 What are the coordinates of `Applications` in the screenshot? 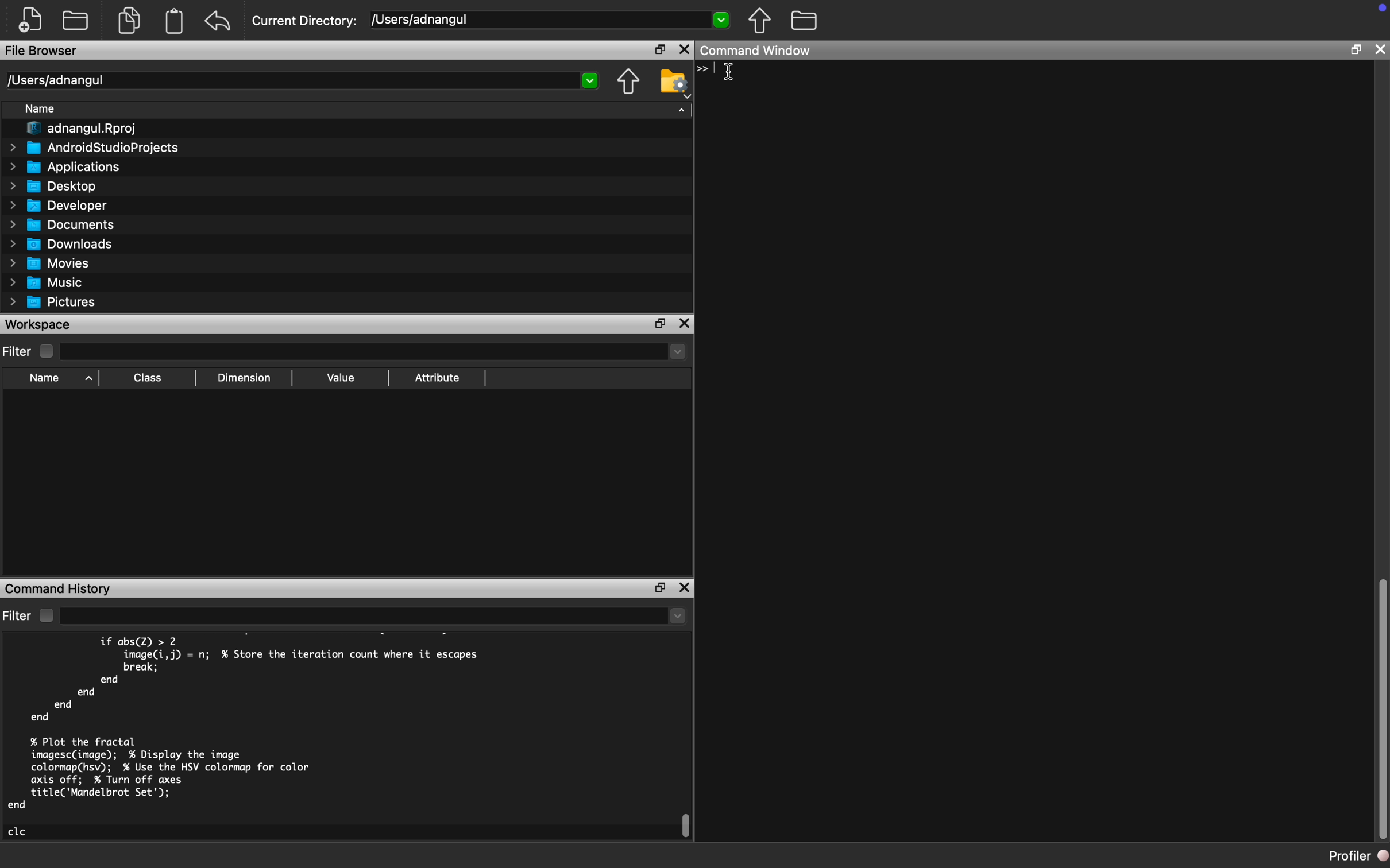 It's located at (63, 167).